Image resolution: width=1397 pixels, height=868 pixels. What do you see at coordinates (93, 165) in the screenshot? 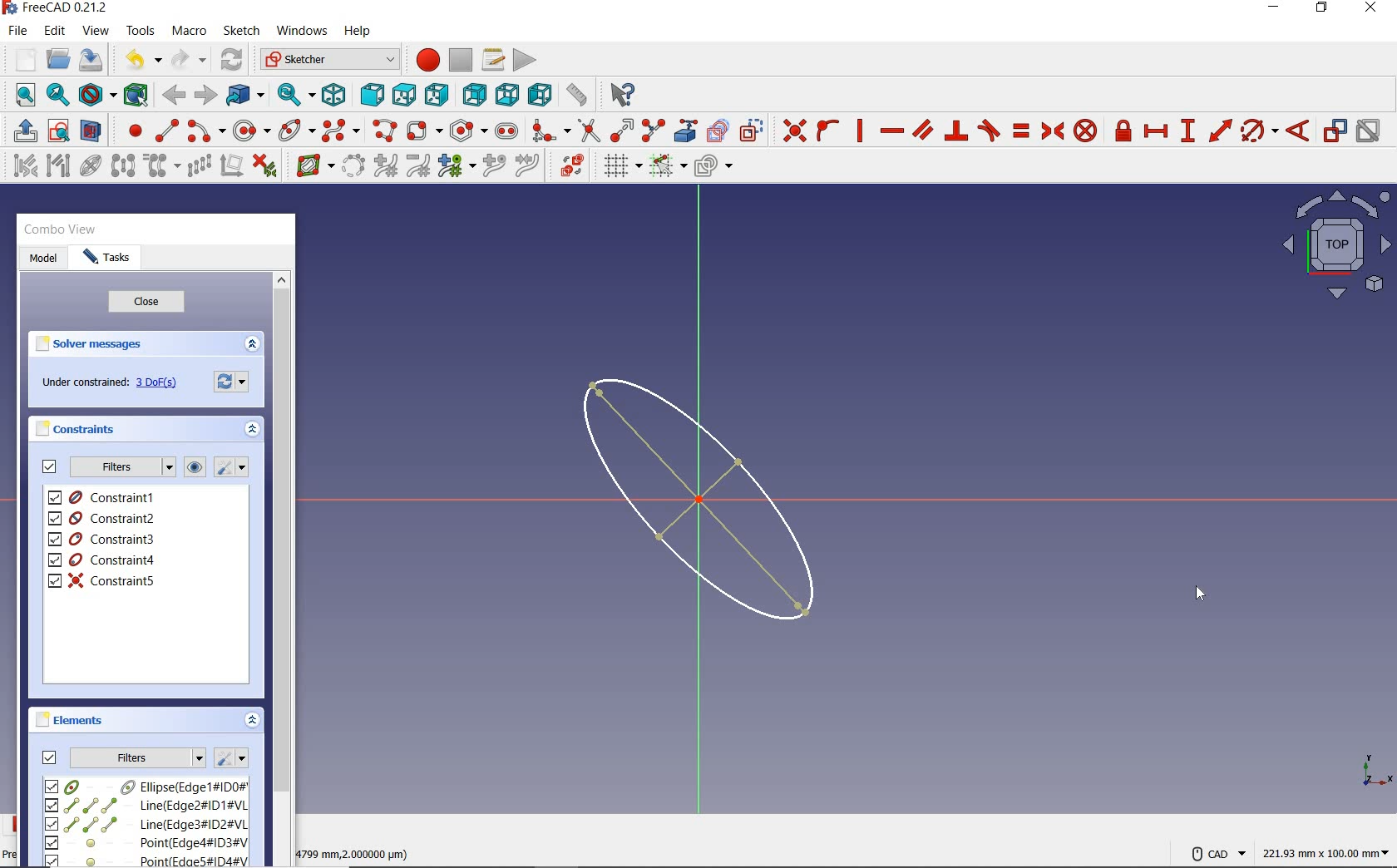
I see `show/hide internal geometry` at bounding box center [93, 165].